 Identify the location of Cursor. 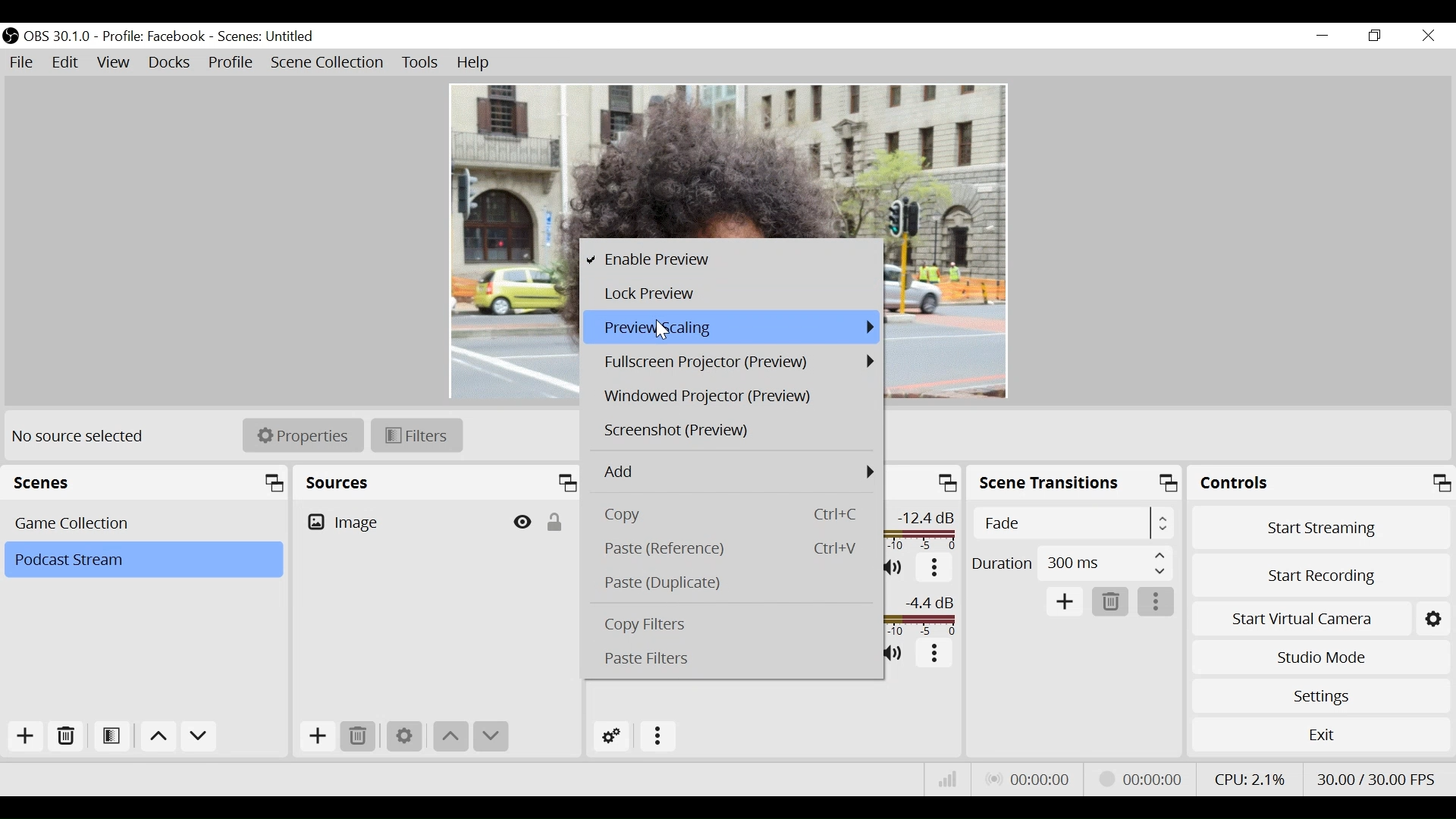
(661, 329).